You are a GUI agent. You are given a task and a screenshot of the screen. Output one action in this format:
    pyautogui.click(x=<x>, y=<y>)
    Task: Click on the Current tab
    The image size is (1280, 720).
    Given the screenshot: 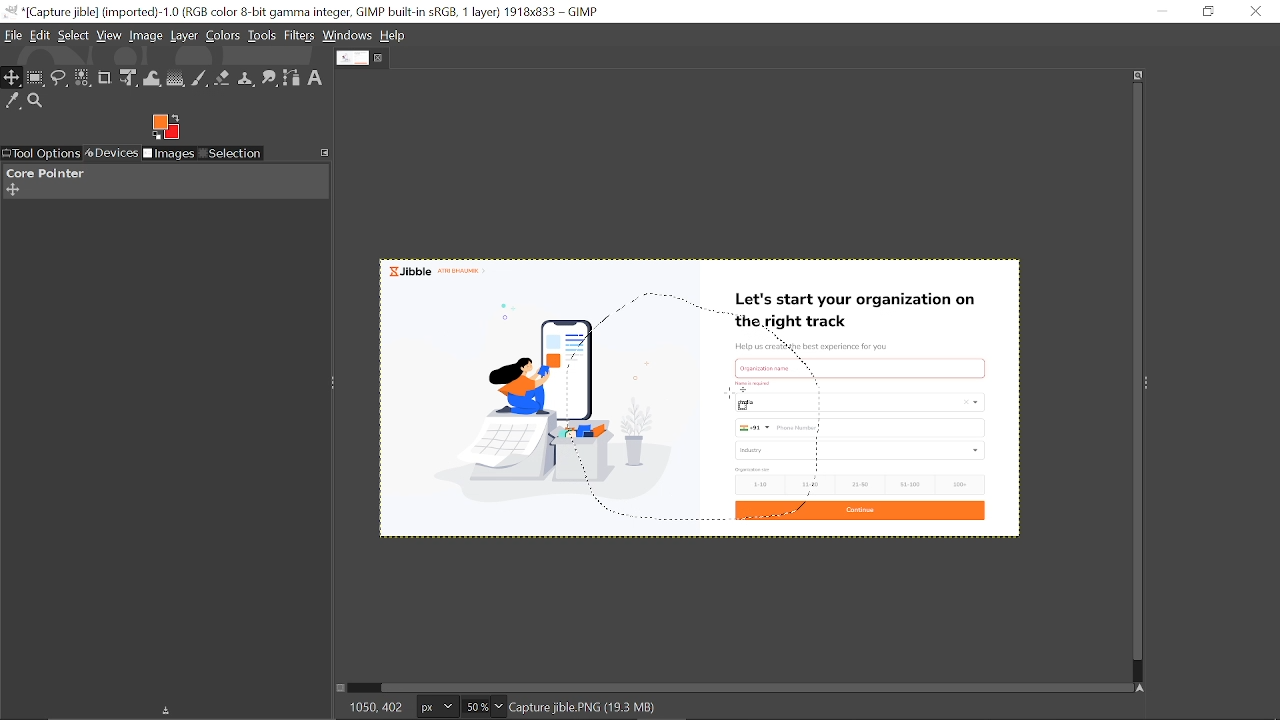 What is the action you would take?
    pyautogui.click(x=353, y=57)
    